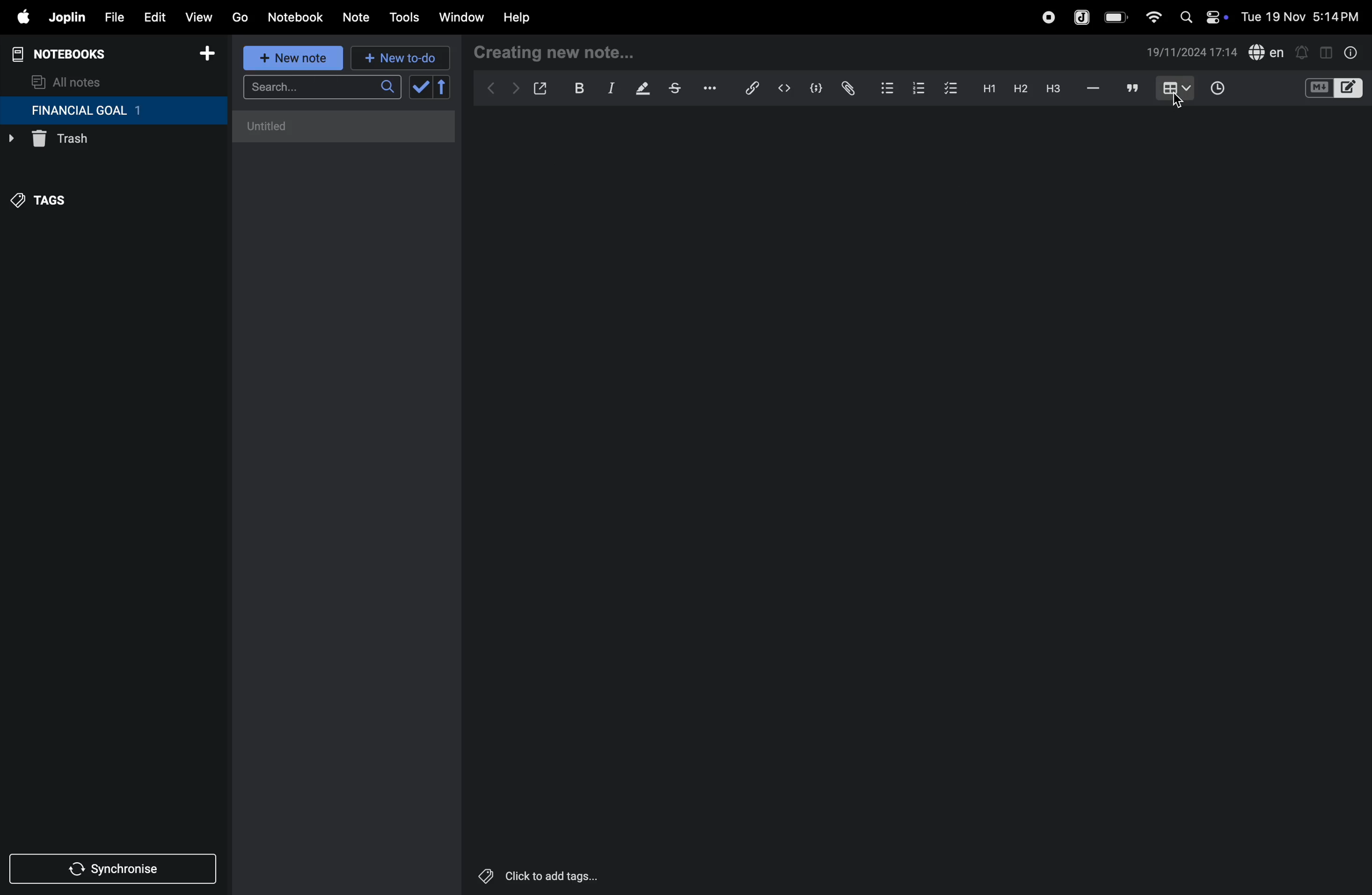 The image size is (1372, 895). I want to click on all notes, so click(67, 81).